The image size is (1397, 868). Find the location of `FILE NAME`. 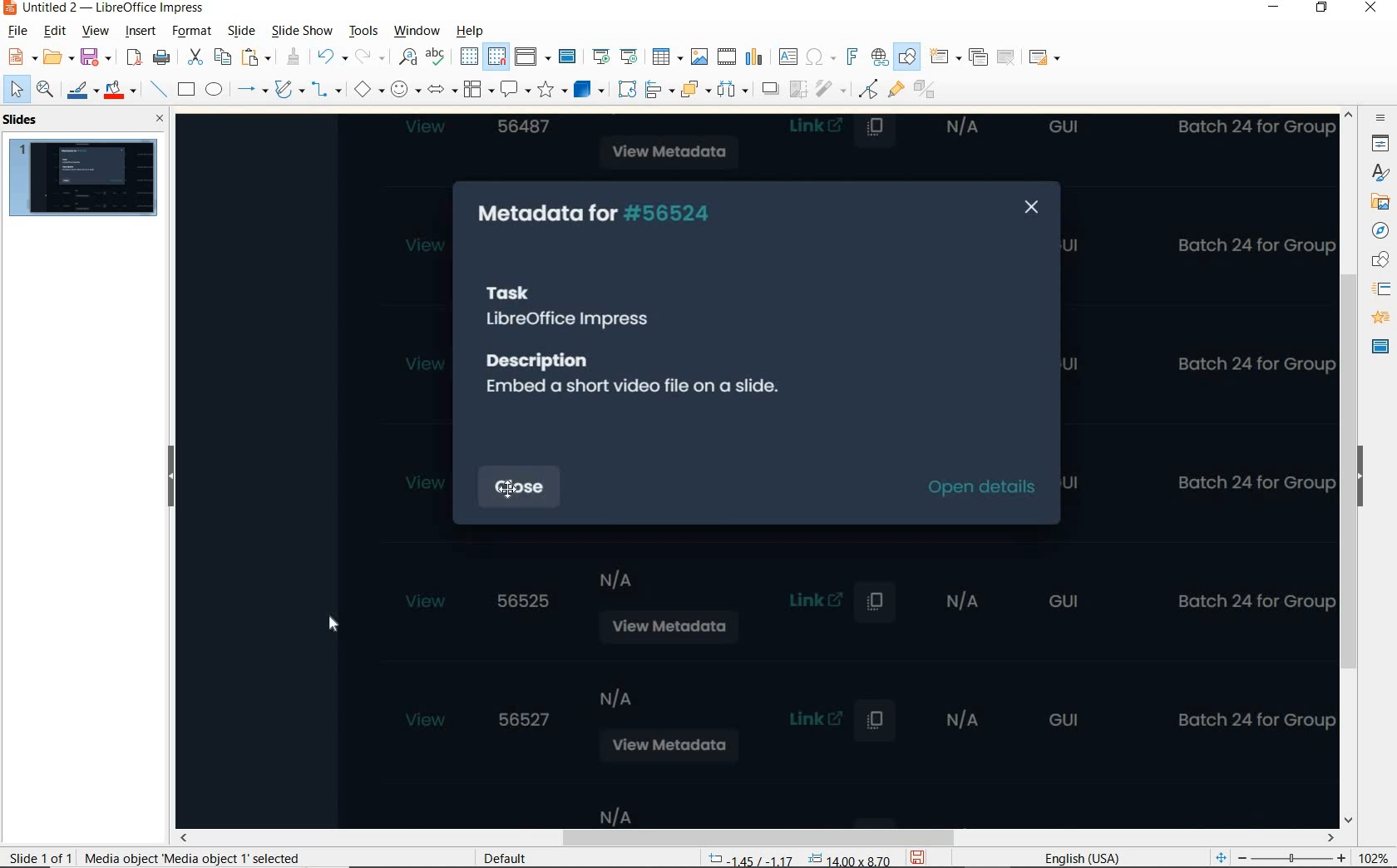

FILE NAME is located at coordinates (106, 9).